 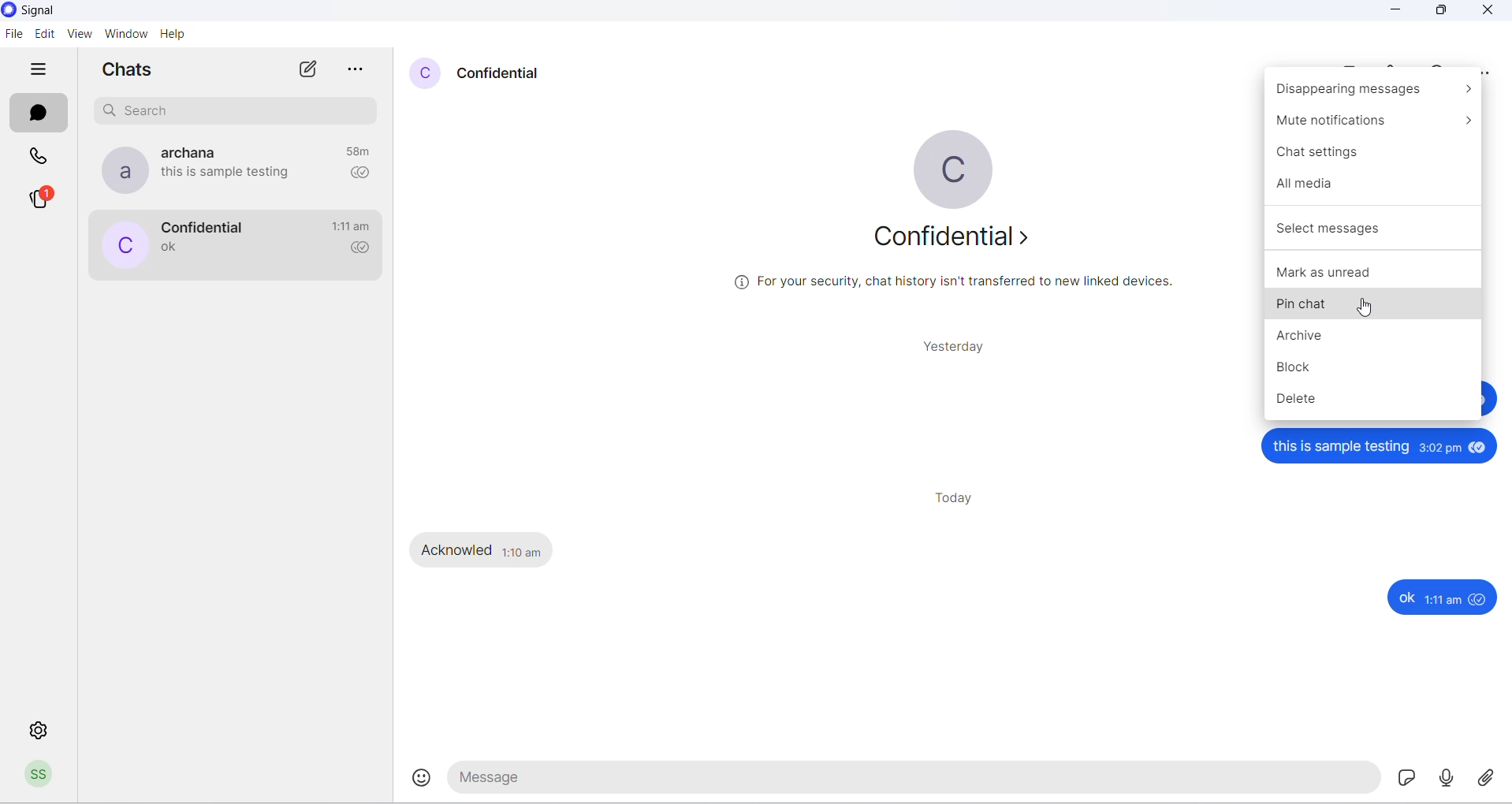 I want to click on messages, so click(x=37, y=114).